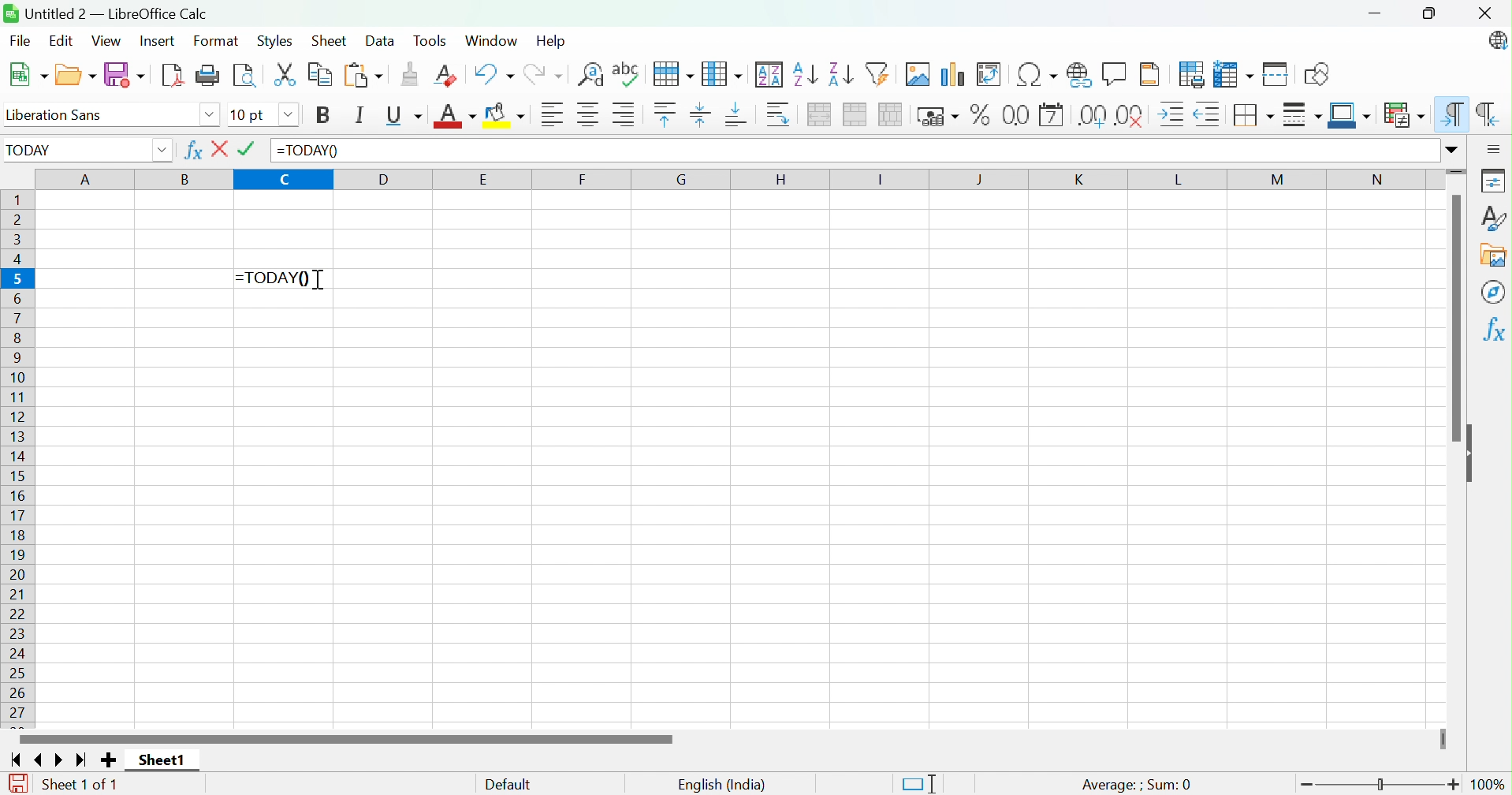 This screenshot has height=795, width=1512. I want to click on Scroll to first sheet, so click(17, 760).